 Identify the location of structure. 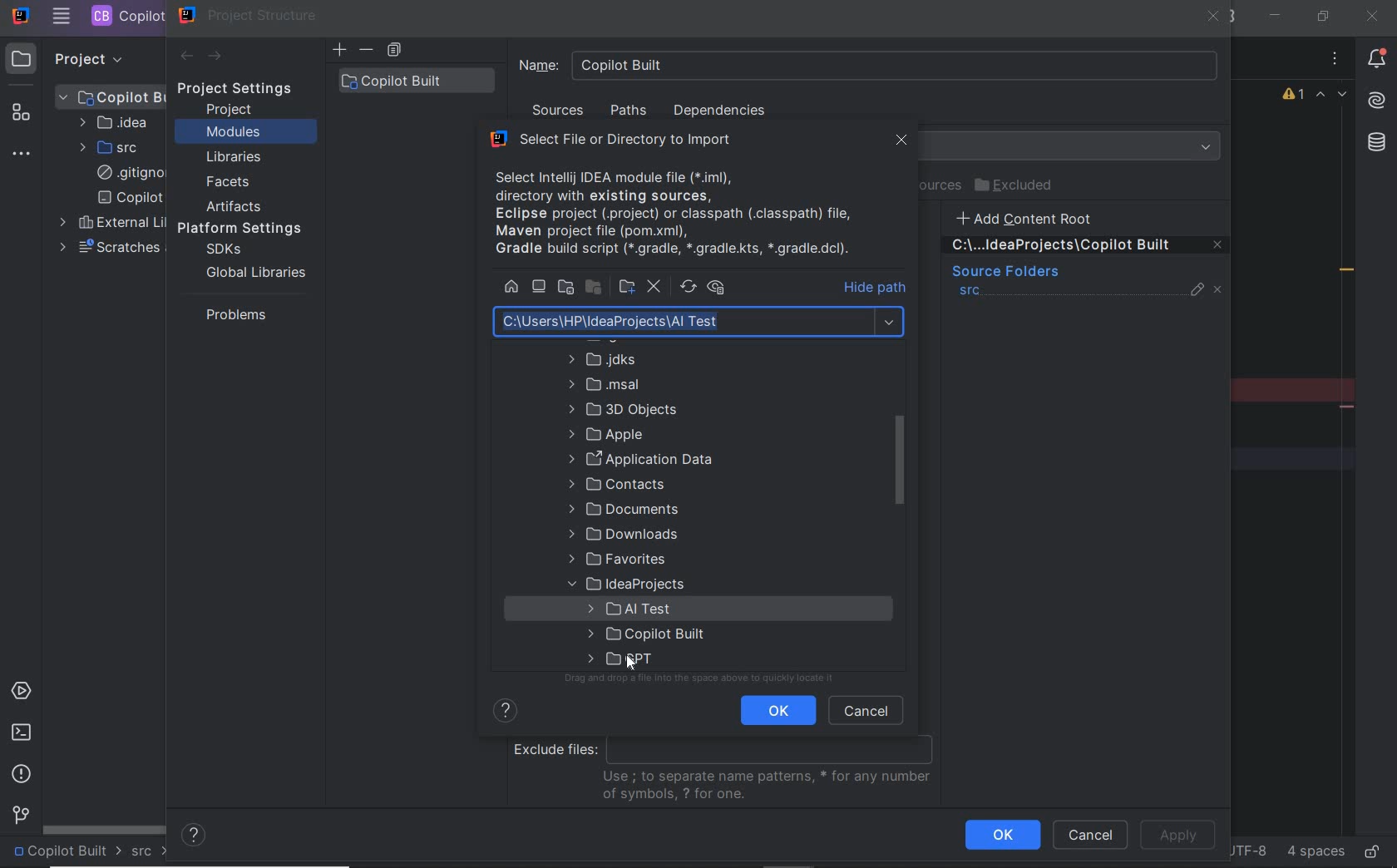
(23, 116).